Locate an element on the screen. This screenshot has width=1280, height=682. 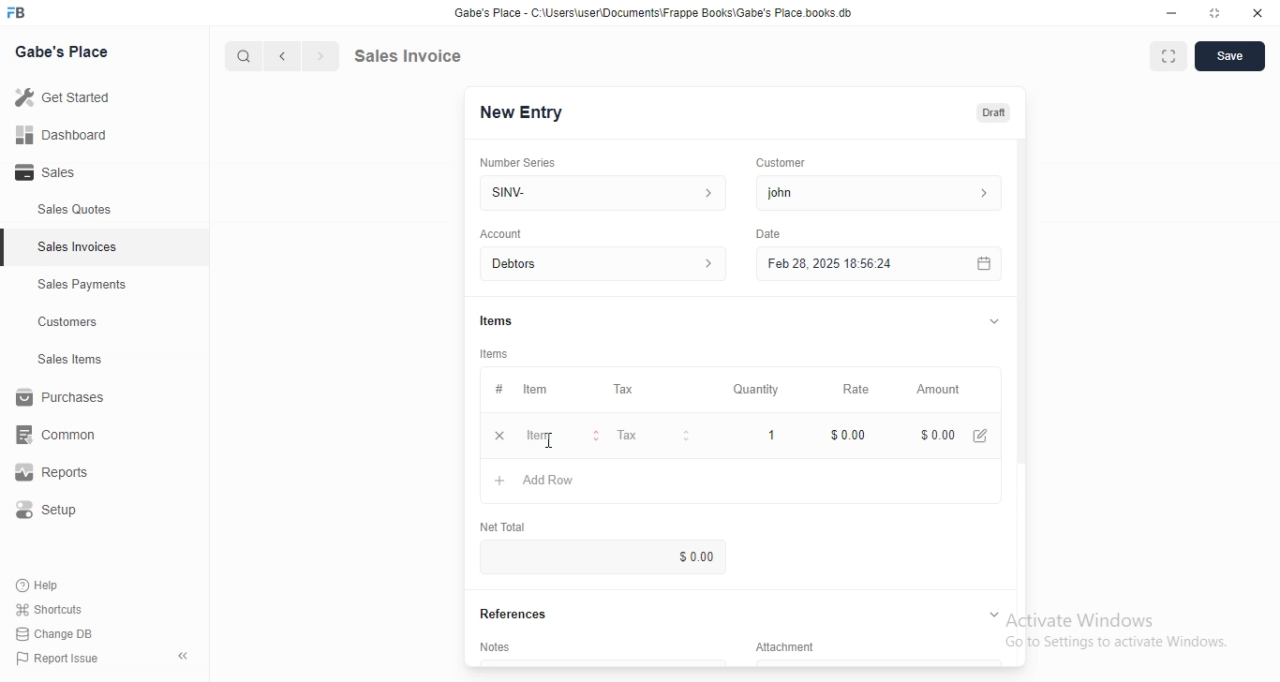
Draft is located at coordinates (995, 113).